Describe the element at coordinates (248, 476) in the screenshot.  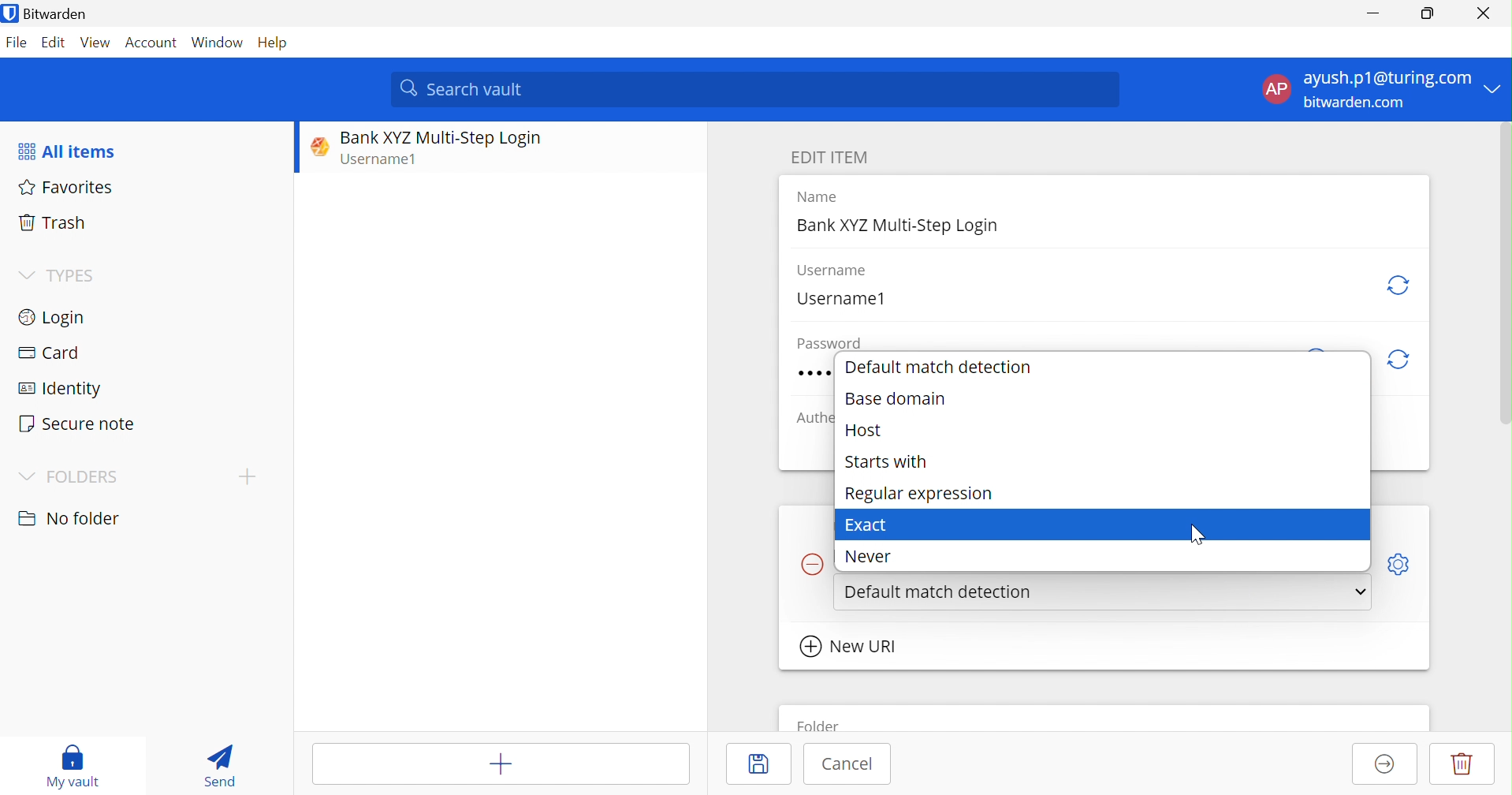
I see `Add folder` at that location.